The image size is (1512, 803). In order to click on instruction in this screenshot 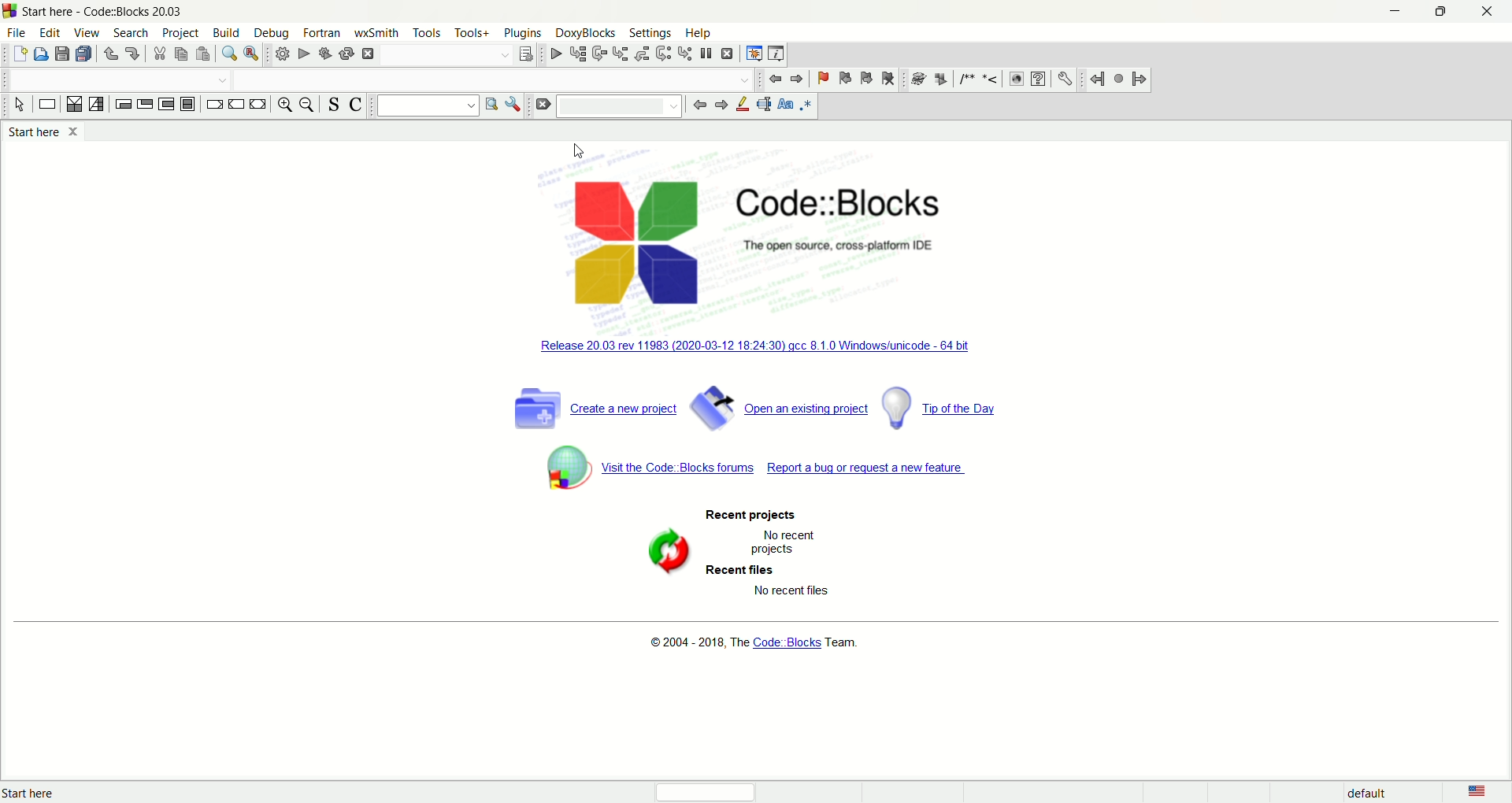, I will do `click(46, 105)`.